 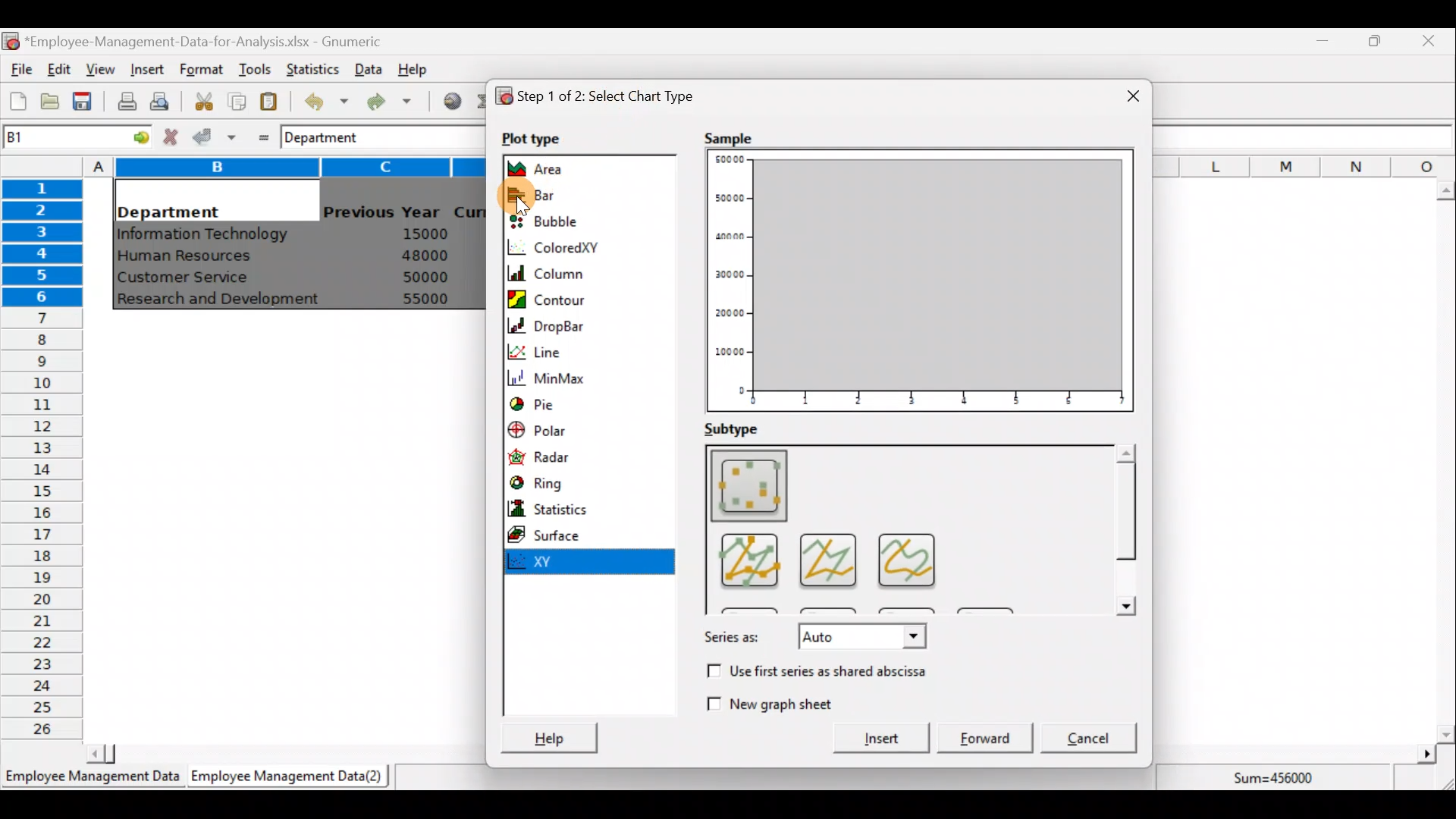 What do you see at coordinates (208, 40) in the screenshot?
I see `‘Employee-Management-Data-for-Analysis.xlsx - Gnumeric` at bounding box center [208, 40].